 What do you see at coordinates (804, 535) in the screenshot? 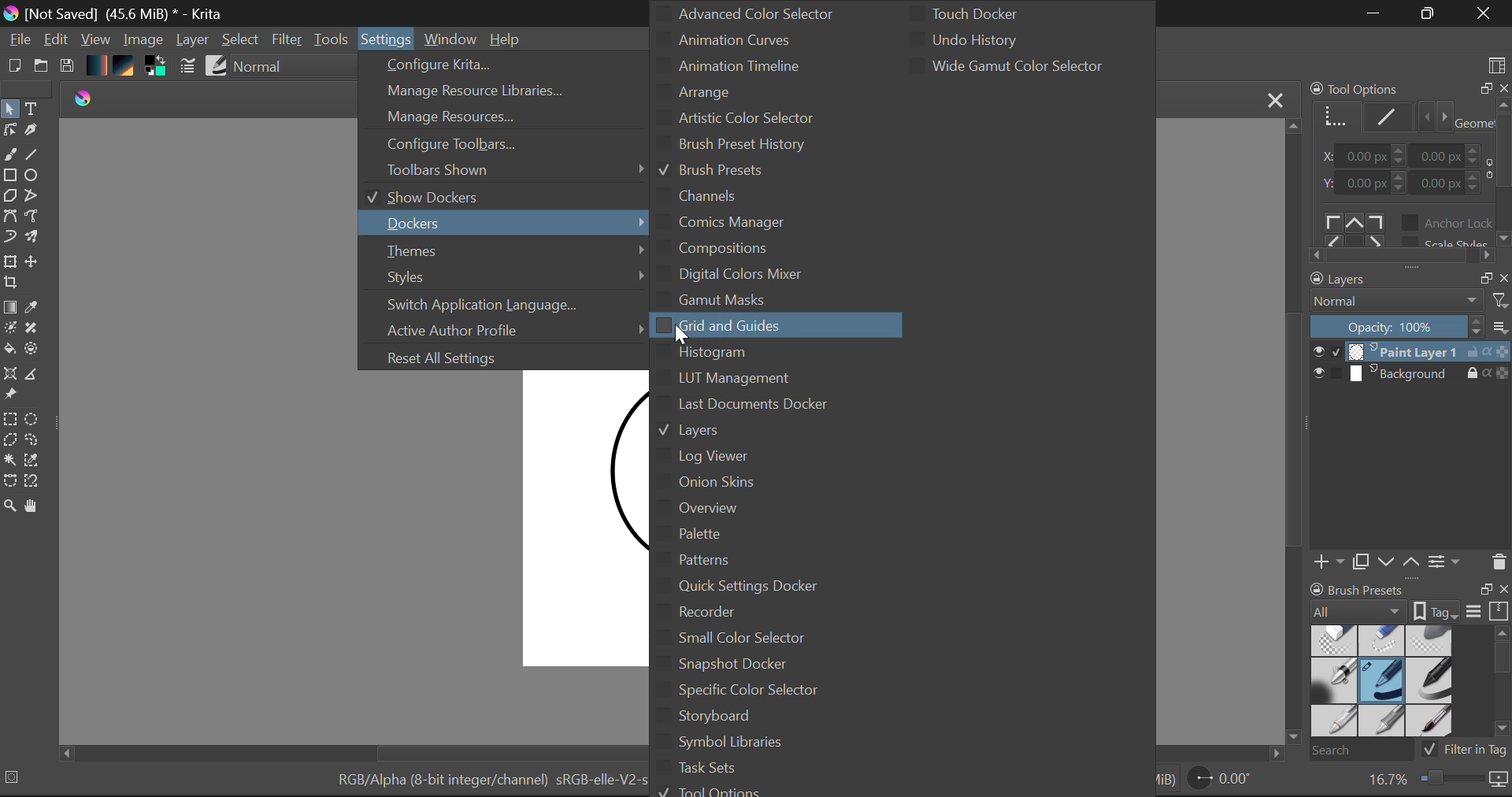
I see `Palette` at bounding box center [804, 535].